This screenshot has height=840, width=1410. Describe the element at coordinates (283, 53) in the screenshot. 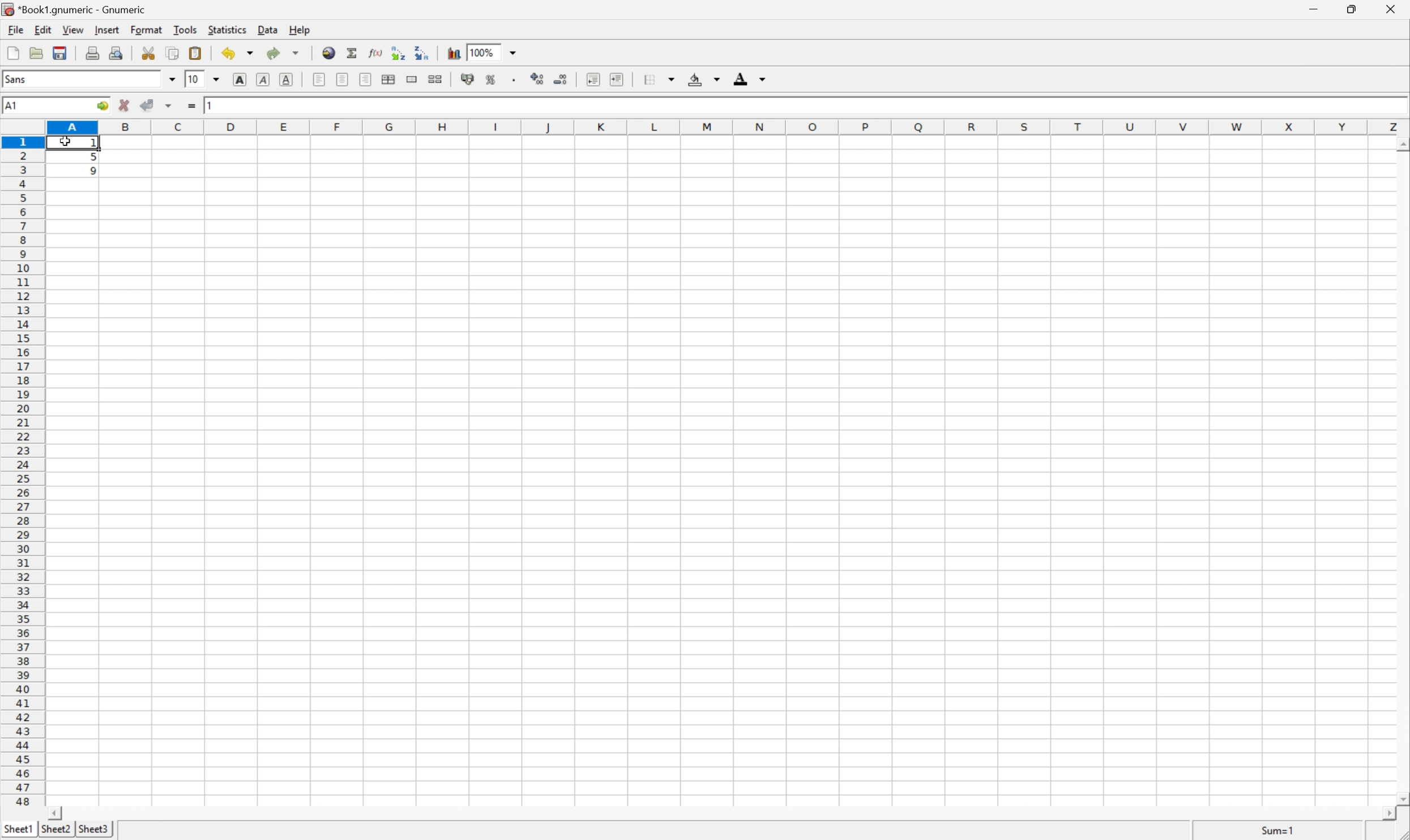

I see `redo` at that location.